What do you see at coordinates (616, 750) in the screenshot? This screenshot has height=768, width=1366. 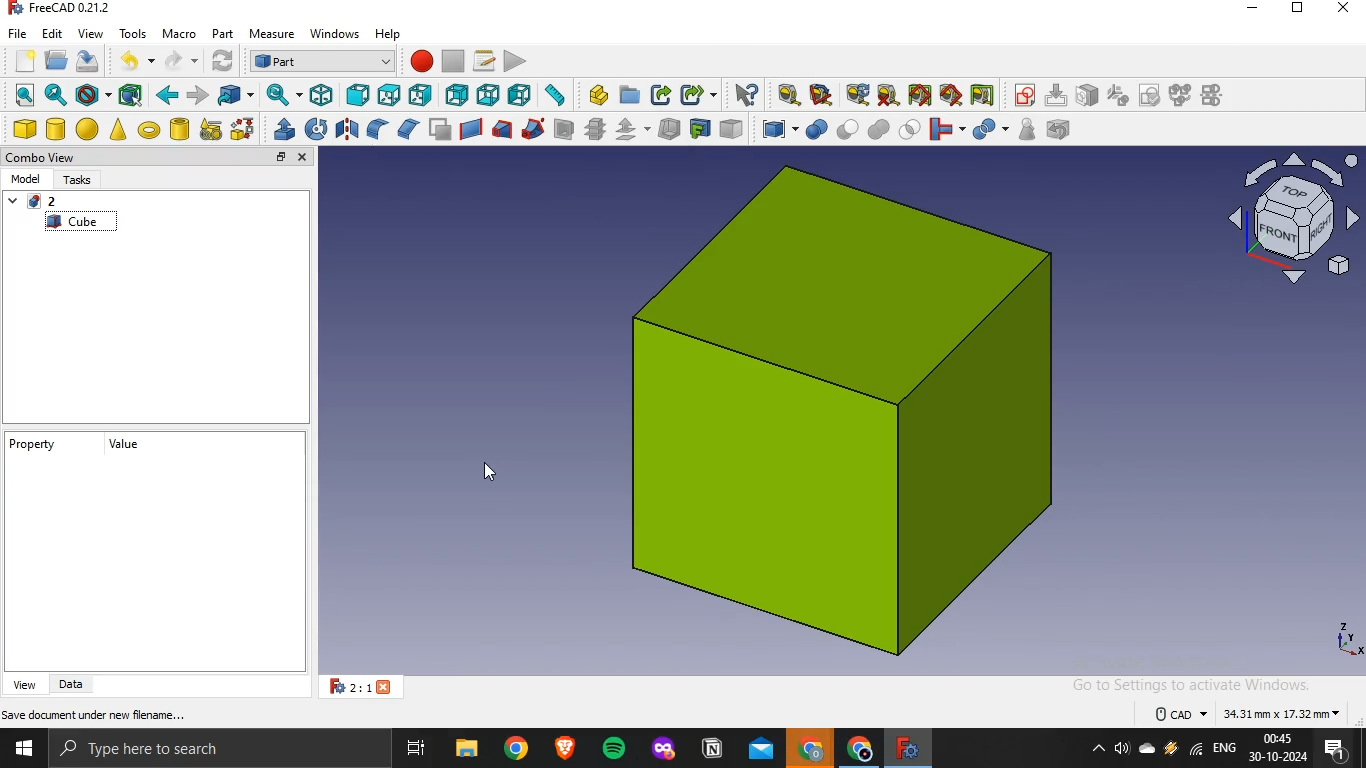 I see `spotify` at bounding box center [616, 750].